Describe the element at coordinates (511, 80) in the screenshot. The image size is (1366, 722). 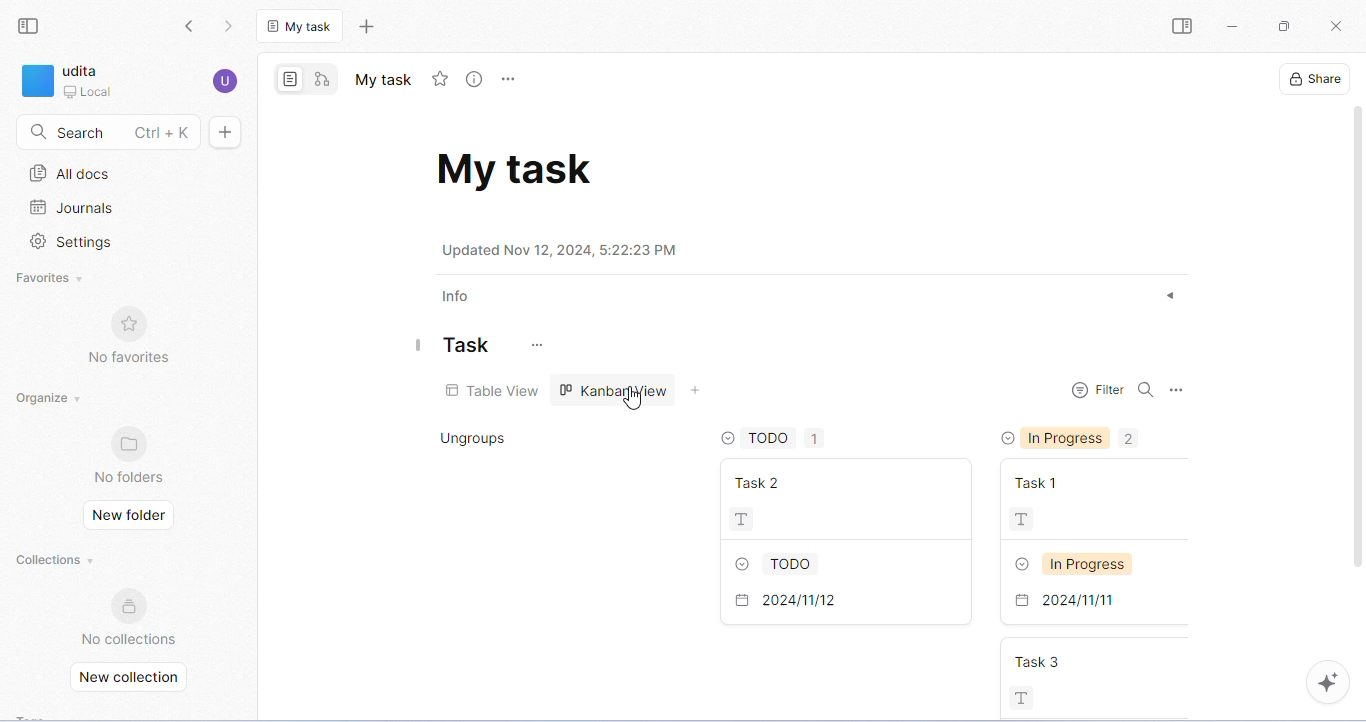
I see `rename and more` at that location.